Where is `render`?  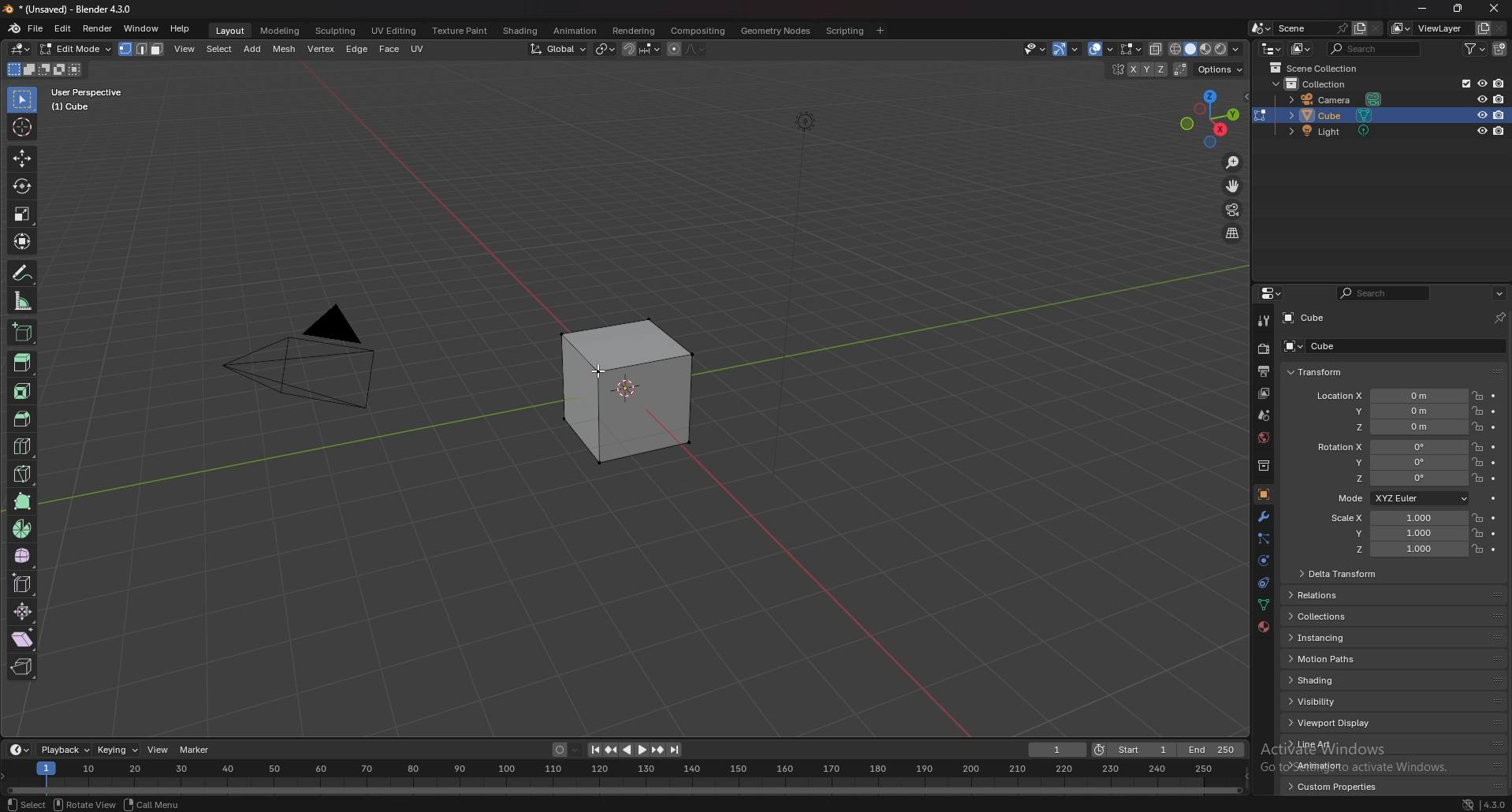
render is located at coordinates (99, 29).